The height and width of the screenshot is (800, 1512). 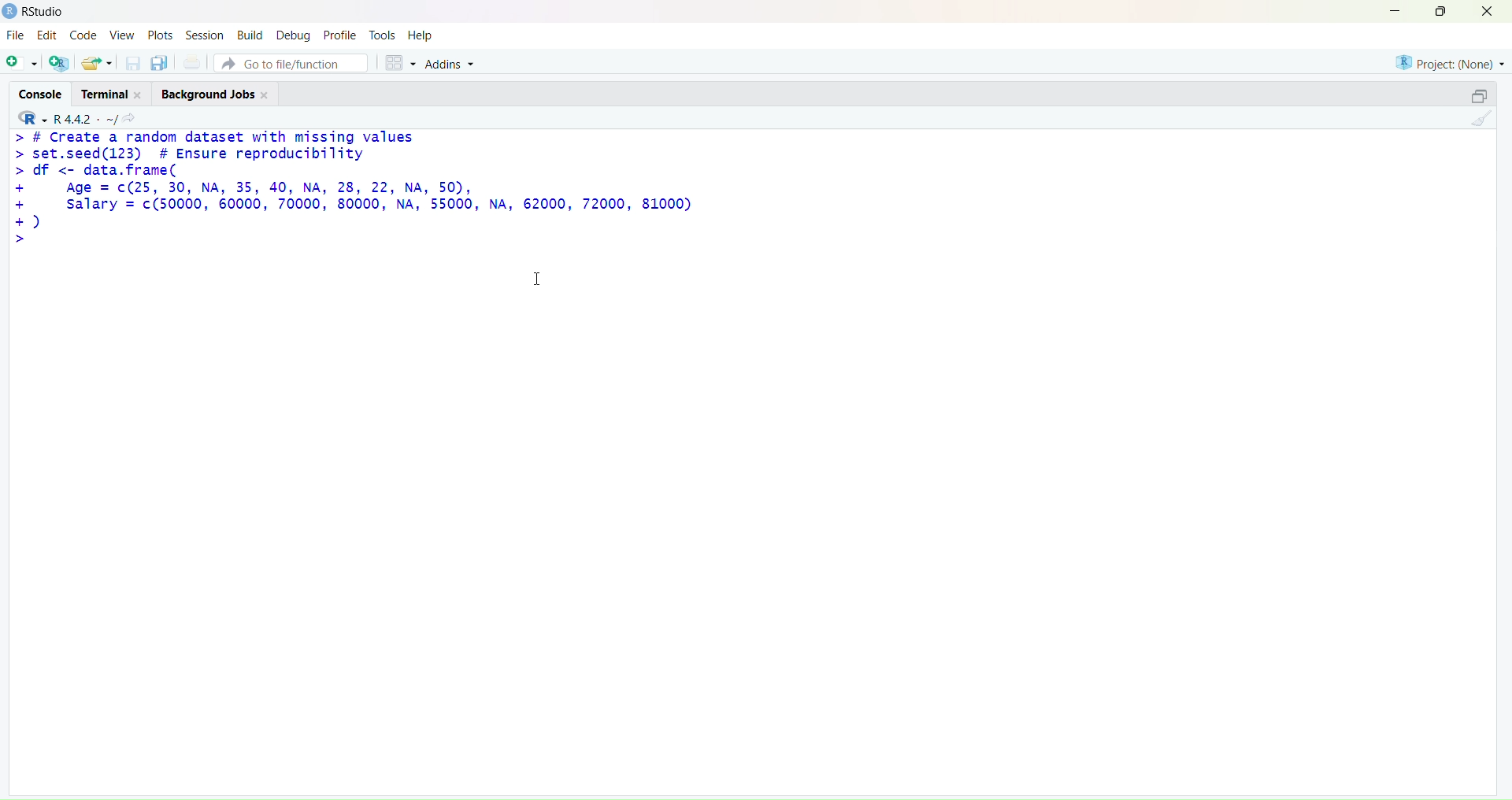 What do you see at coordinates (112, 94) in the screenshot?
I see `terminal` at bounding box center [112, 94].